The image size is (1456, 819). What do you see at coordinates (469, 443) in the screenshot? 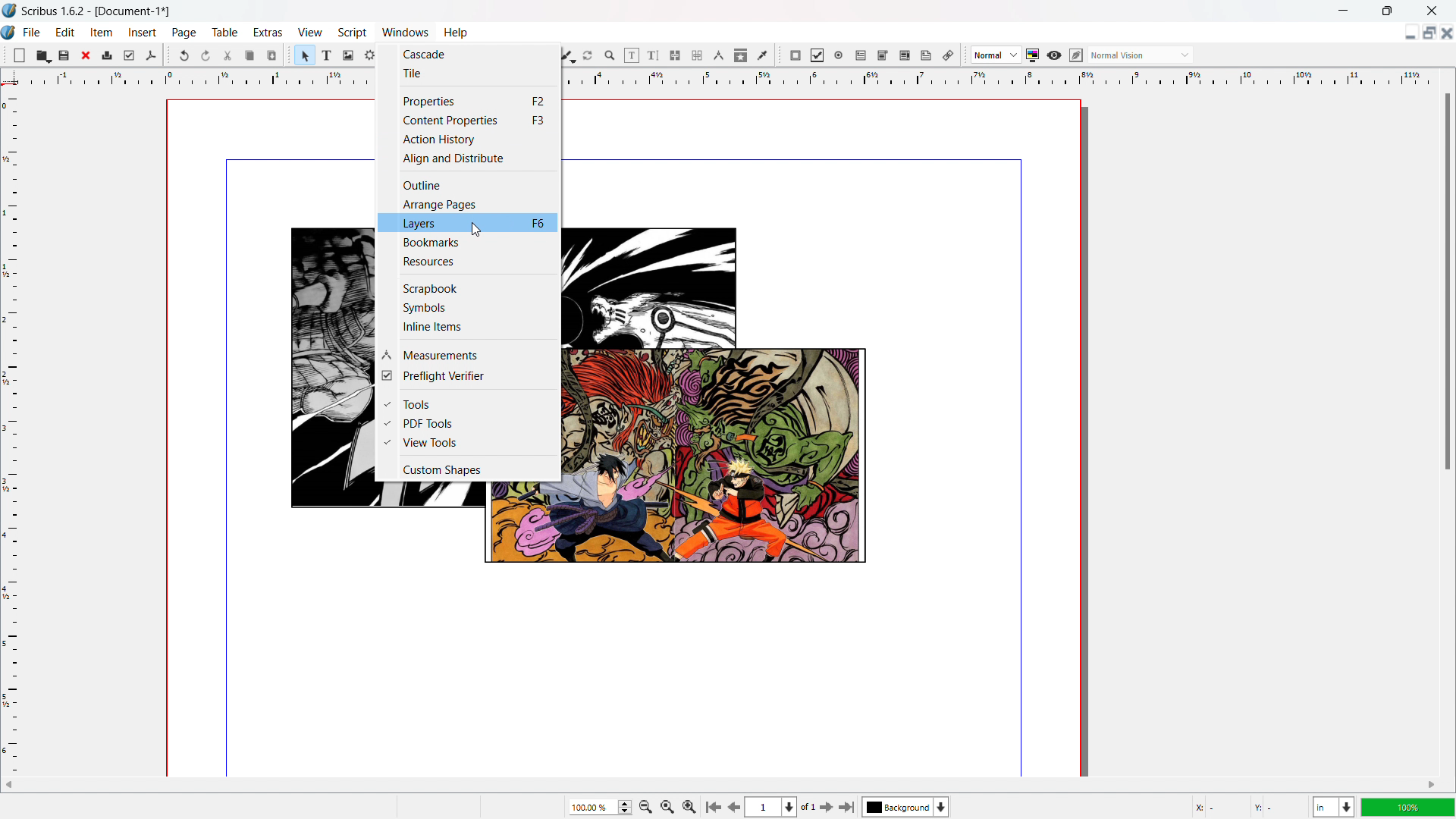
I see `view tools` at bounding box center [469, 443].